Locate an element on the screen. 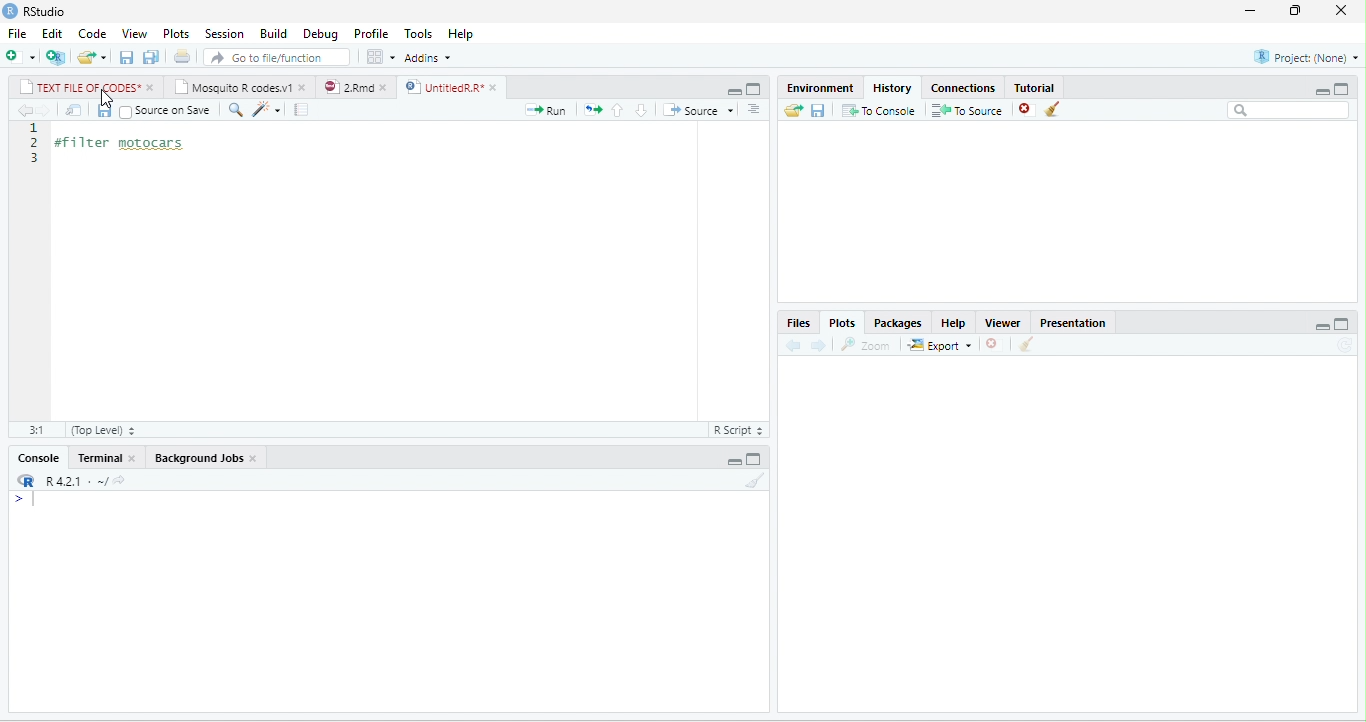 Image resolution: width=1366 pixels, height=722 pixels. maximize is located at coordinates (1341, 89).